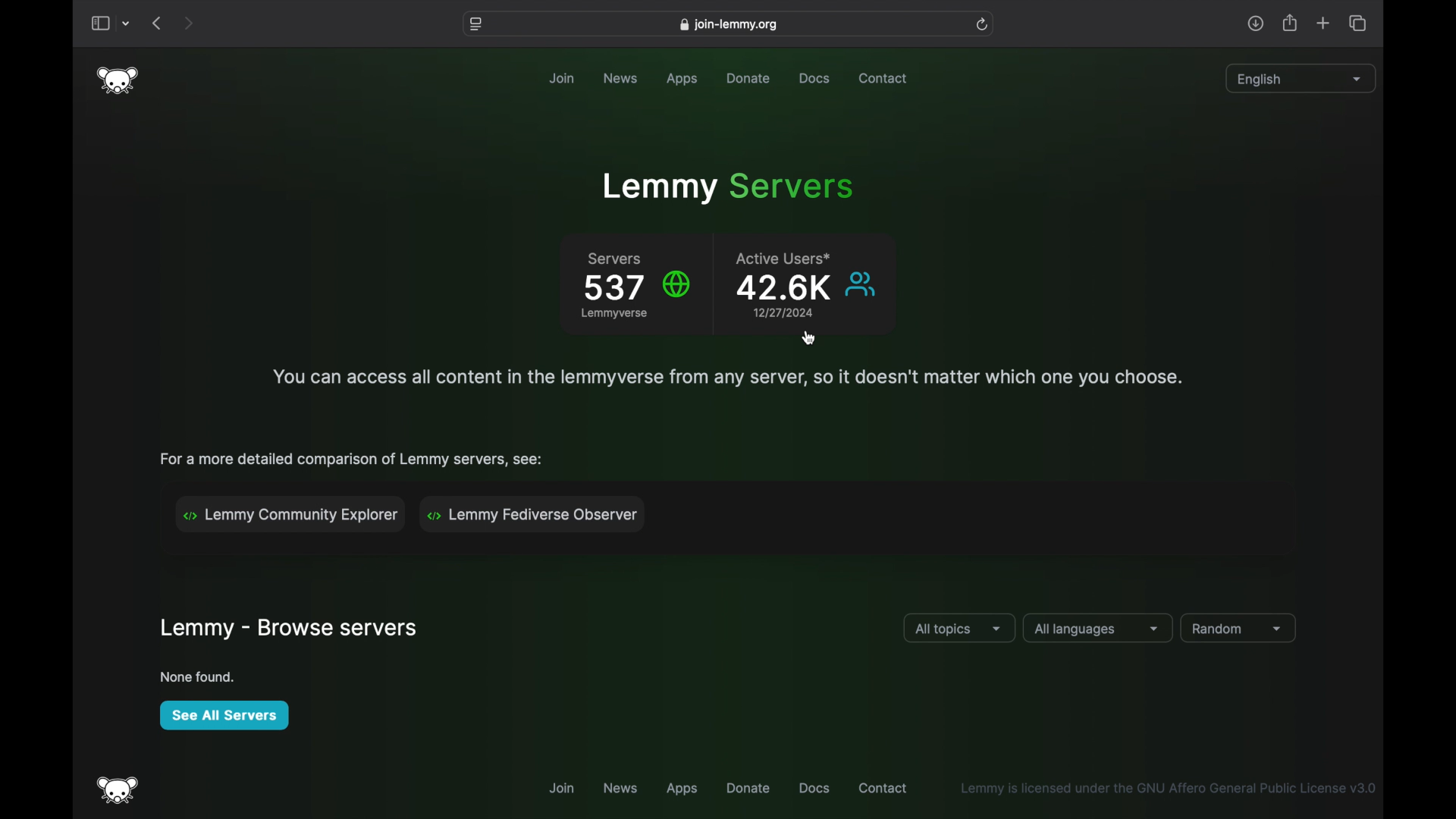  Describe the element at coordinates (223, 715) in the screenshot. I see `see all servers` at that location.